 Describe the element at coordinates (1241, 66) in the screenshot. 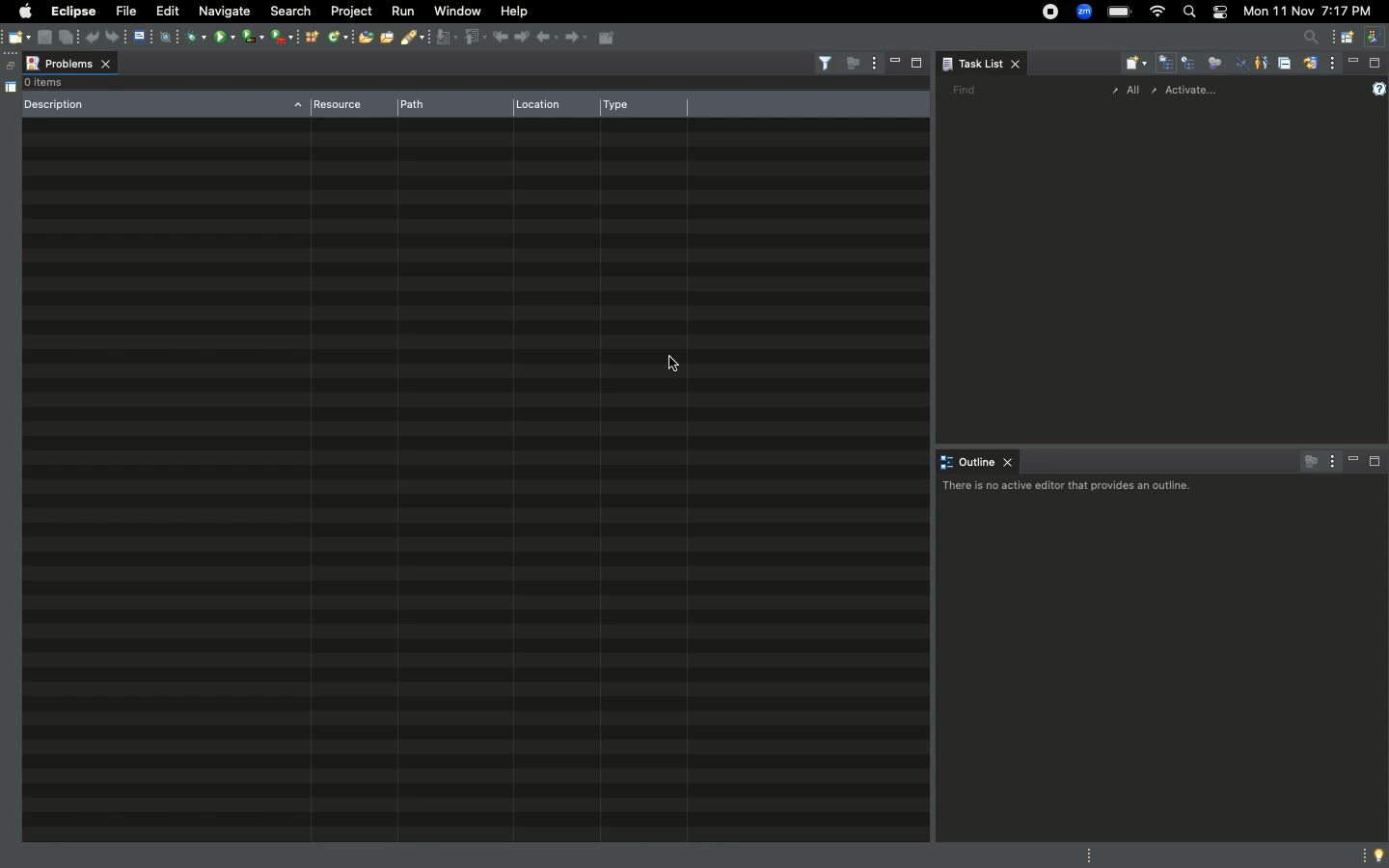

I see `Hide completed tasks` at that location.